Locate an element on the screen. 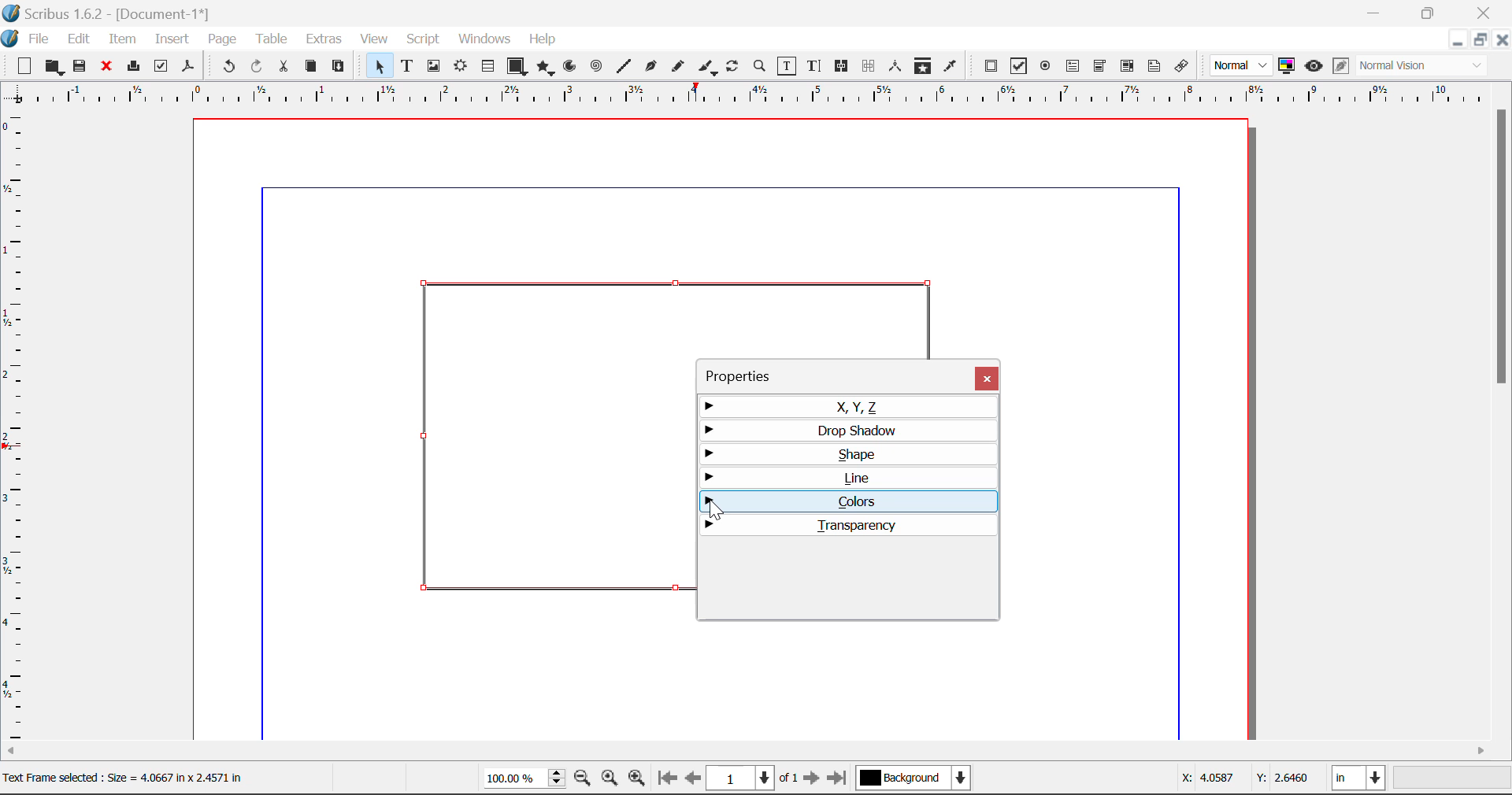  Calligraphic Line is located at coordinates (704, 67).